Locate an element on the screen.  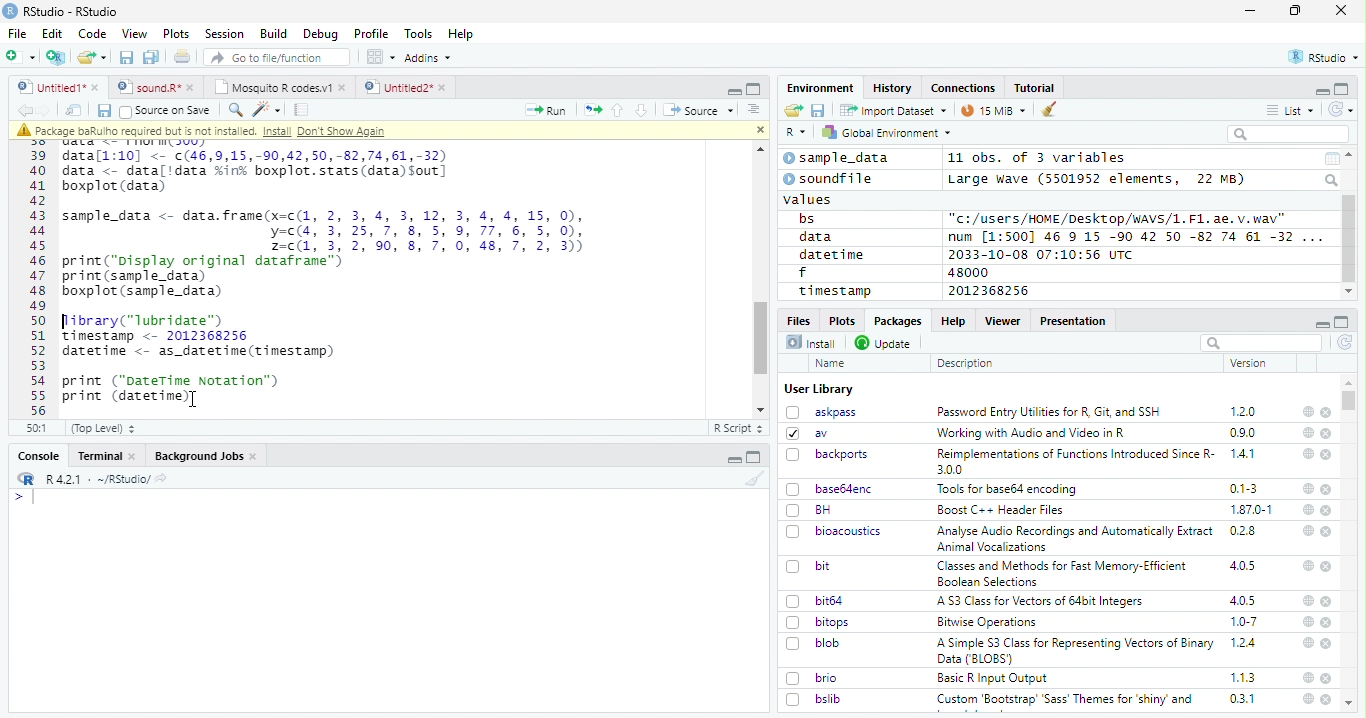
soundfile is located at coordinates (829, 179).